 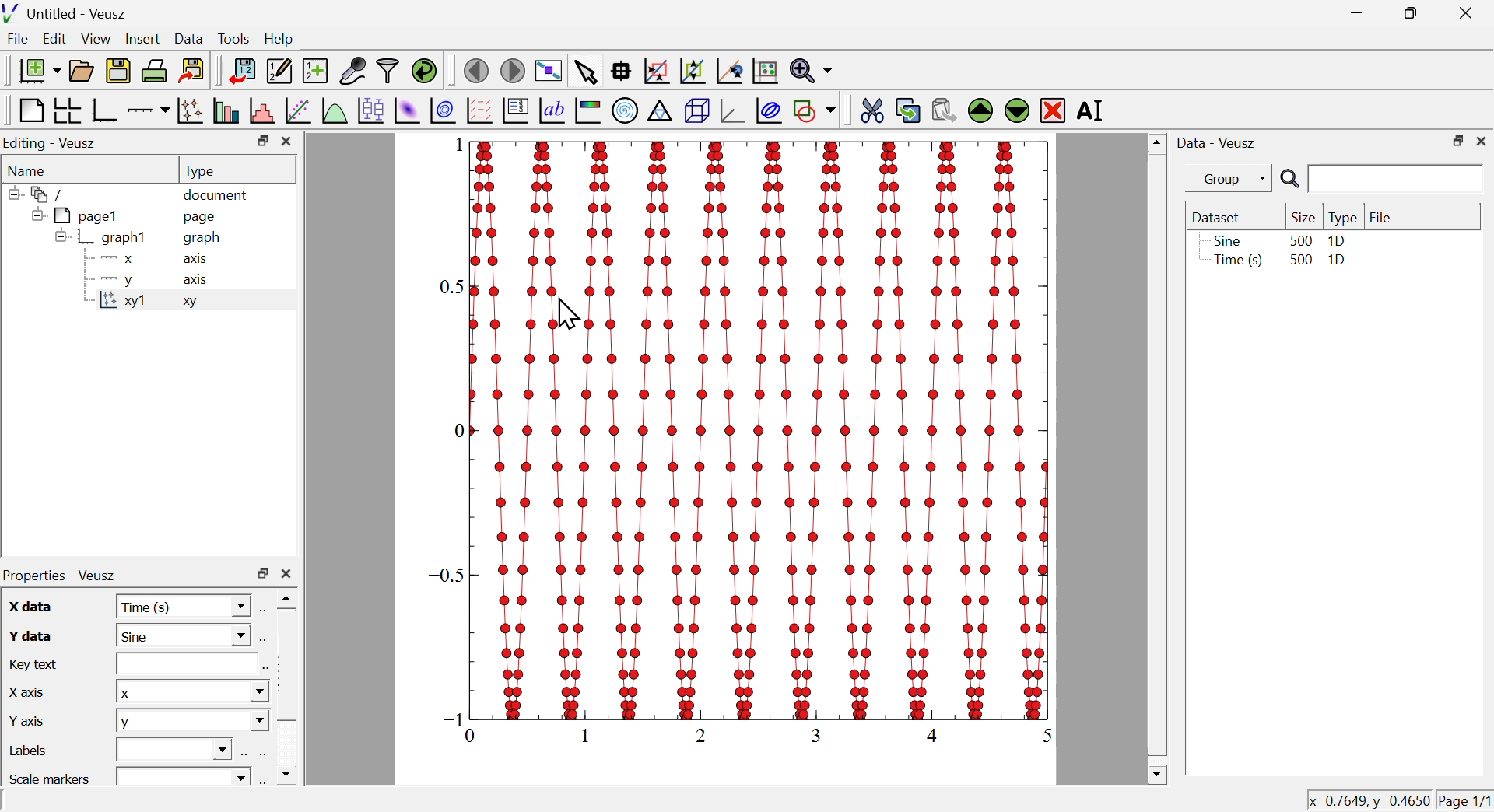 I want to click on 1D, so click(x=1337, y=241).